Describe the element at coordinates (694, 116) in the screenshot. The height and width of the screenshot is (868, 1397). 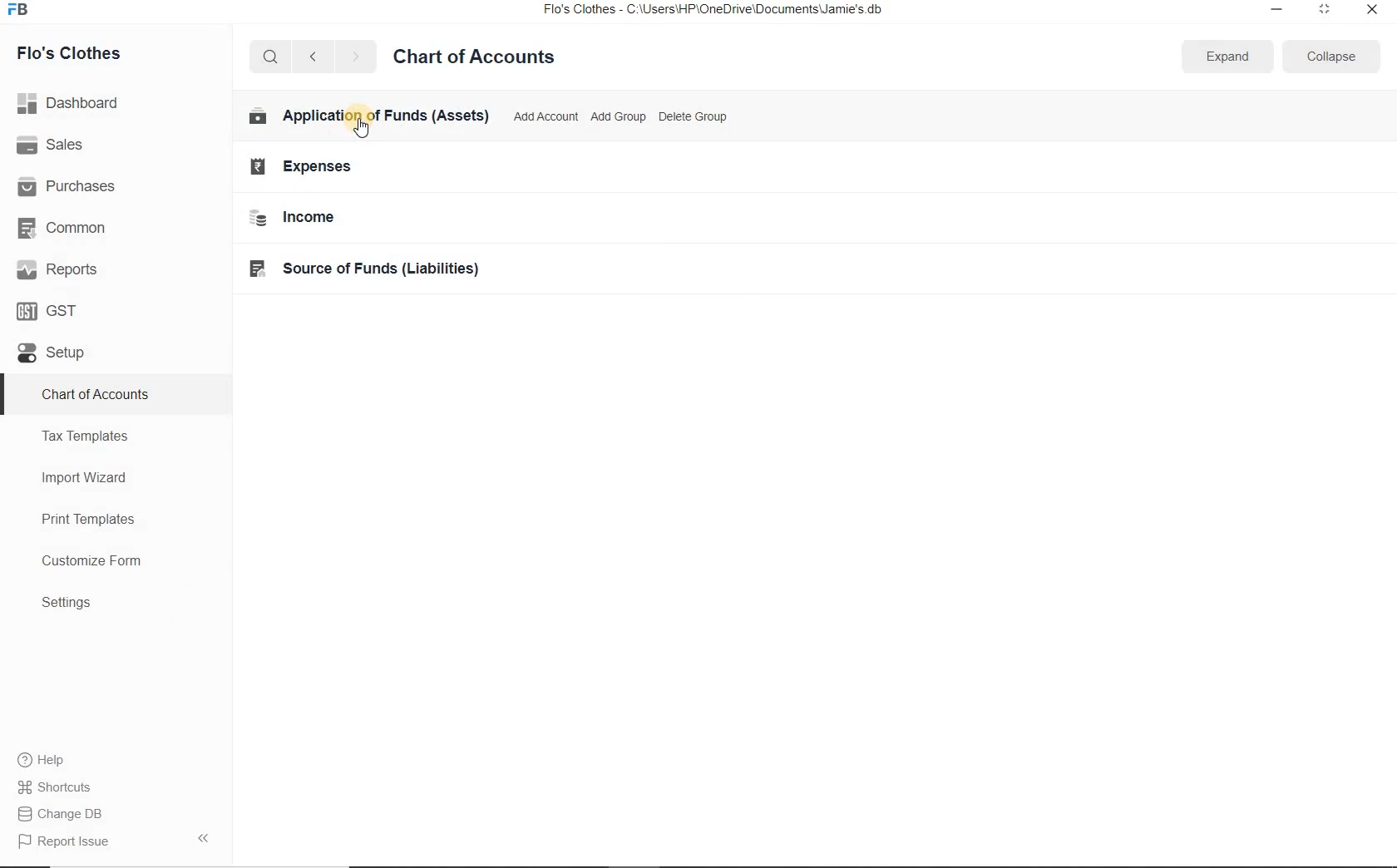
I see `Delete Group` at that location.